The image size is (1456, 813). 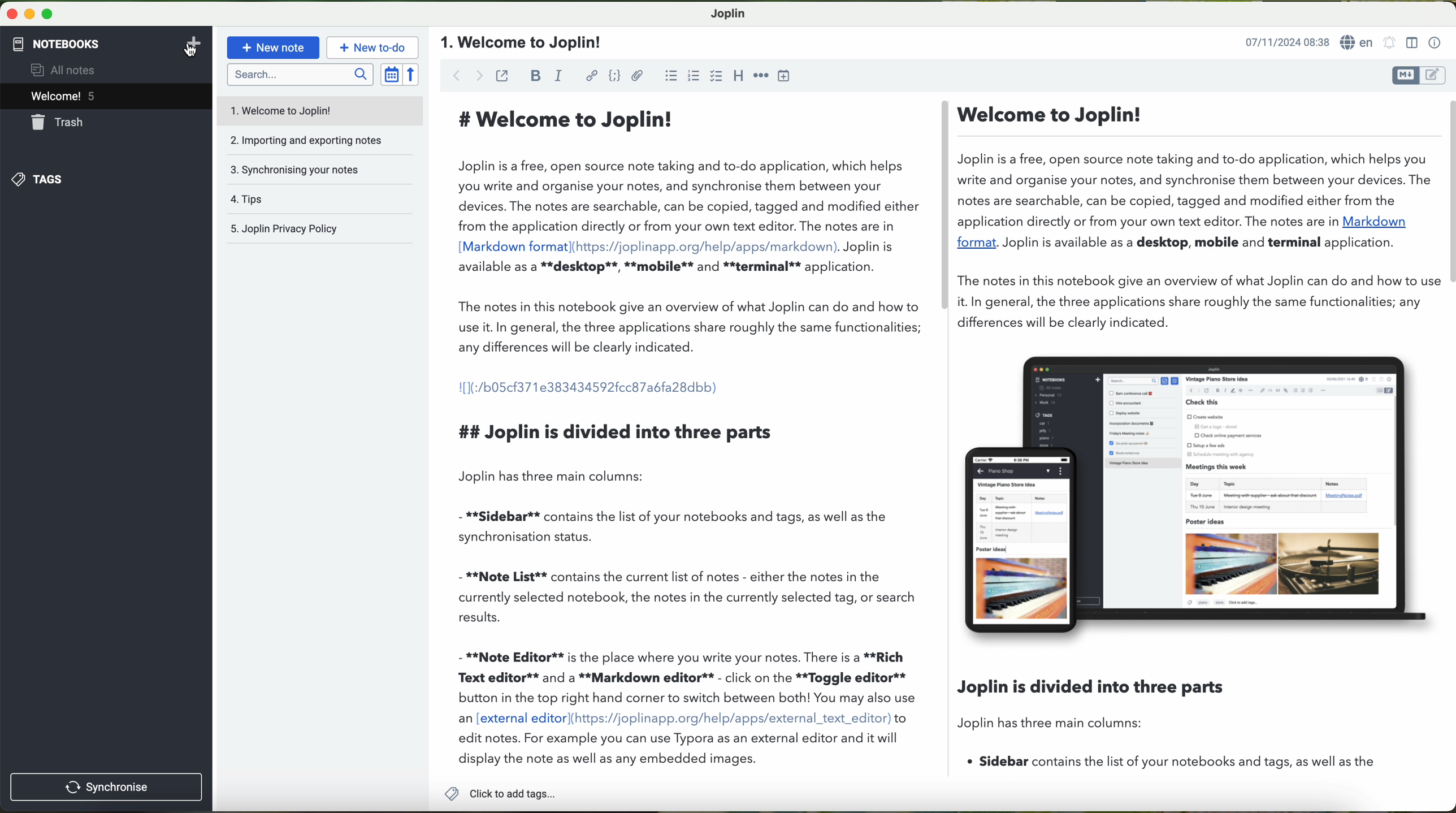 What do you see at coordinates (1446, 193) in the screenshot?
I see `vertical scroll bar` at bounding box center [1446, 193].